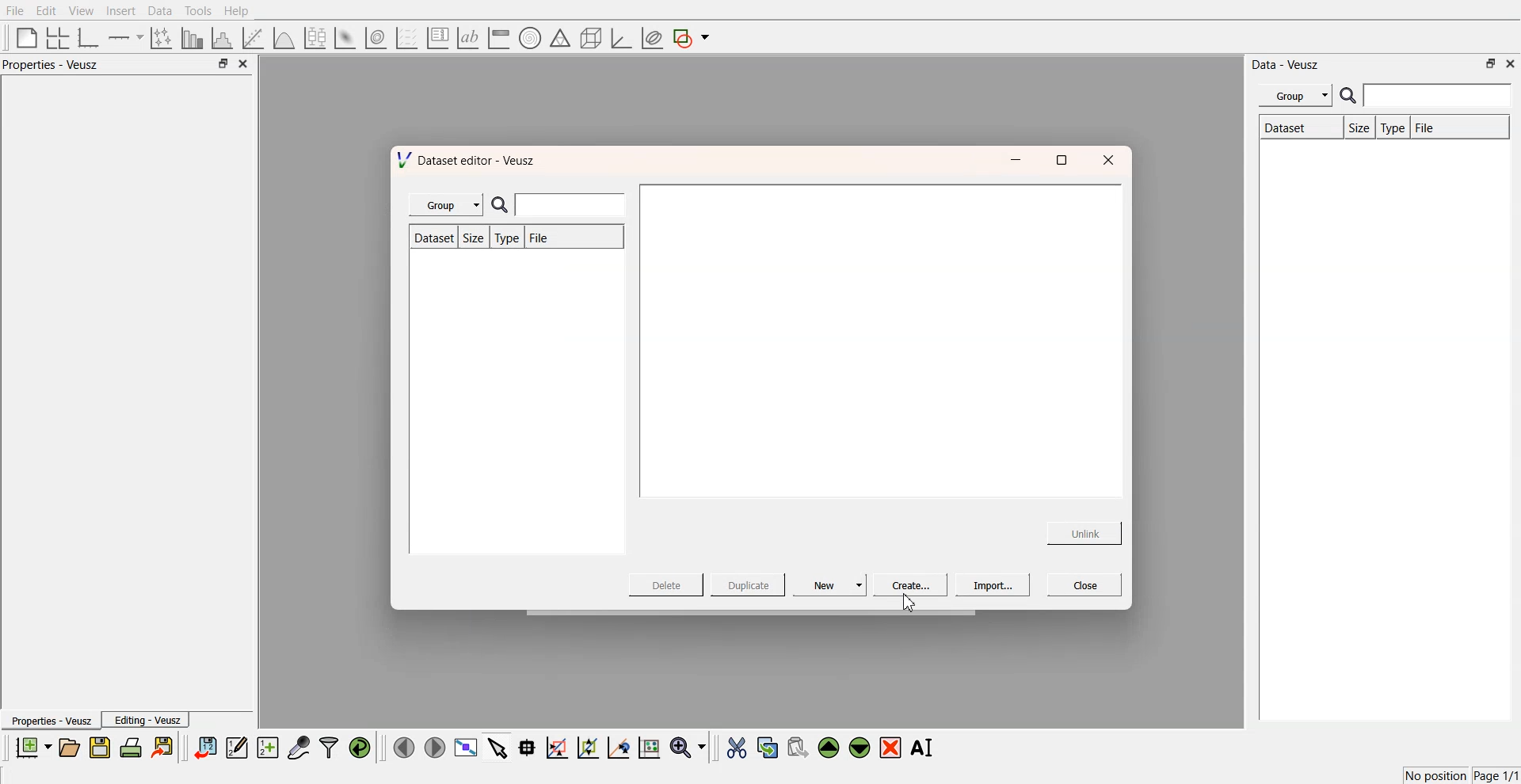  What do you see at coordinates (993, 585) in the screenshot?
I see `Import...` at bounding box center [993, 585].